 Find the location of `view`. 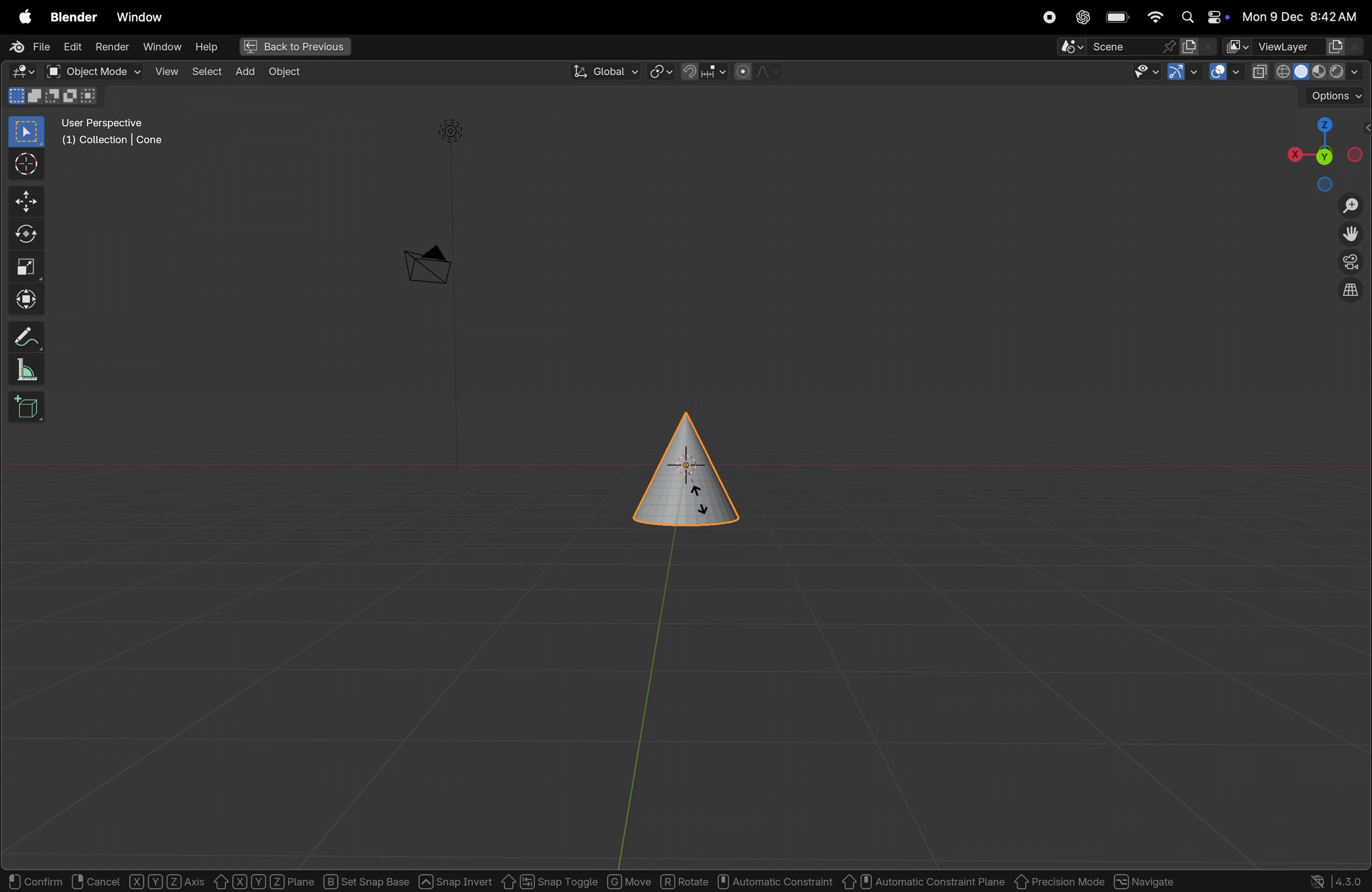

view is located at coordinates (163, 71).